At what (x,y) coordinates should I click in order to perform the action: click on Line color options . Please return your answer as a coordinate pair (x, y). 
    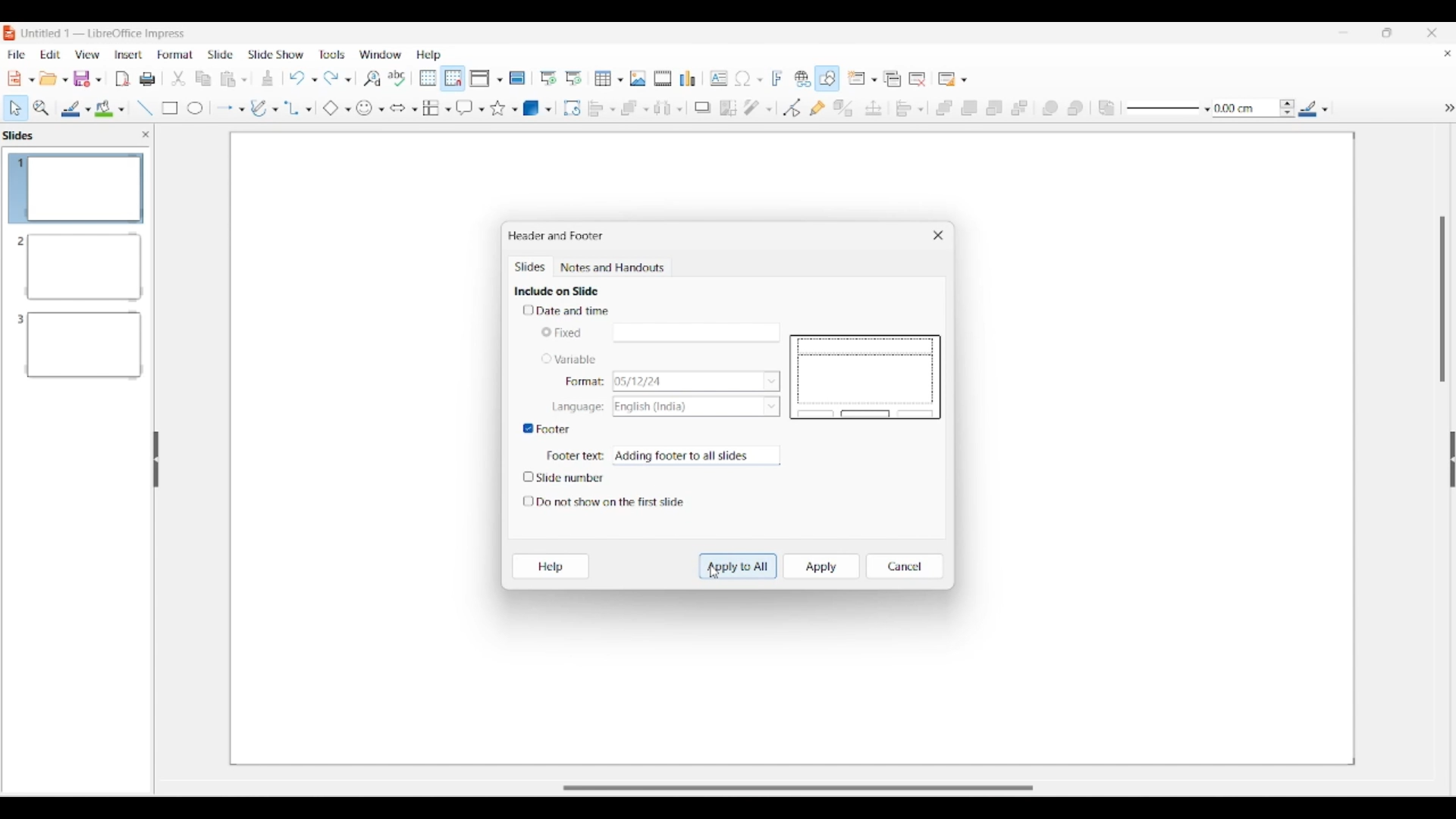
    Looking at the image, I should click on (76, 109).